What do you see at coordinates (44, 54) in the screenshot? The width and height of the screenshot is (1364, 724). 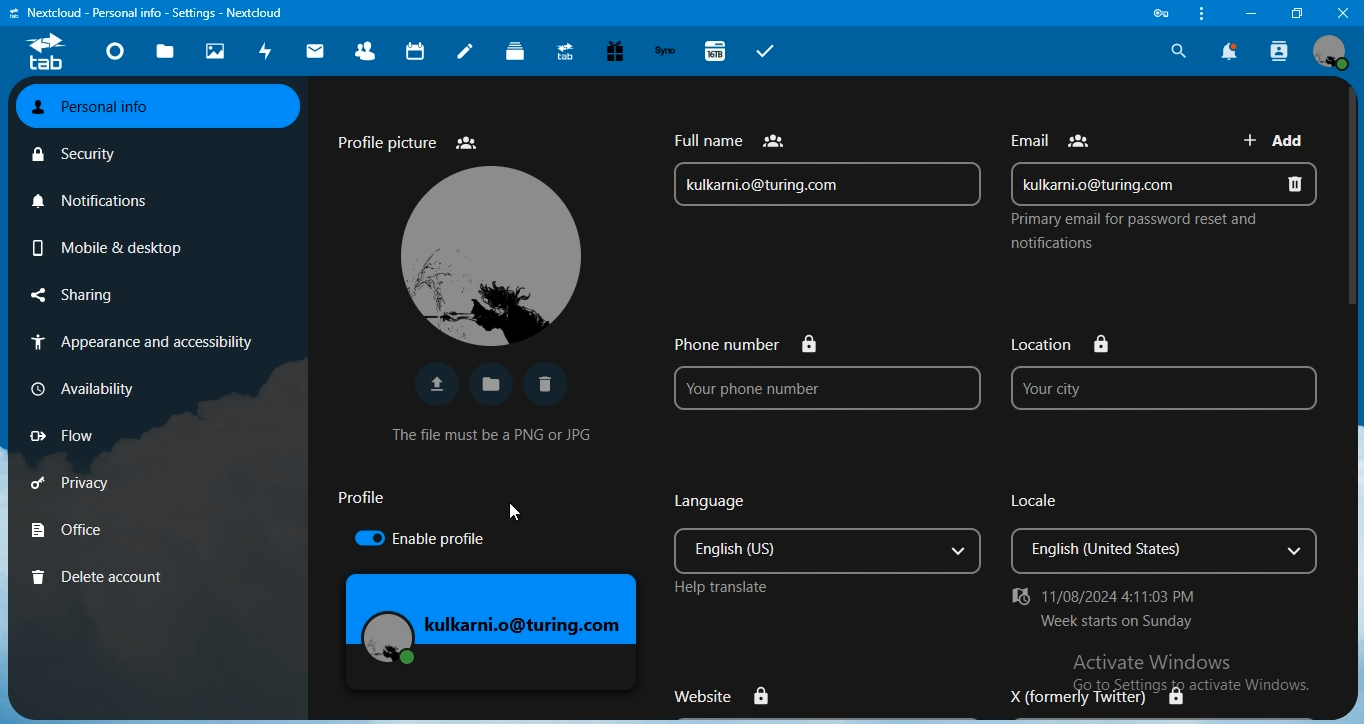 I see `icon` at bounding box center [44, 54].